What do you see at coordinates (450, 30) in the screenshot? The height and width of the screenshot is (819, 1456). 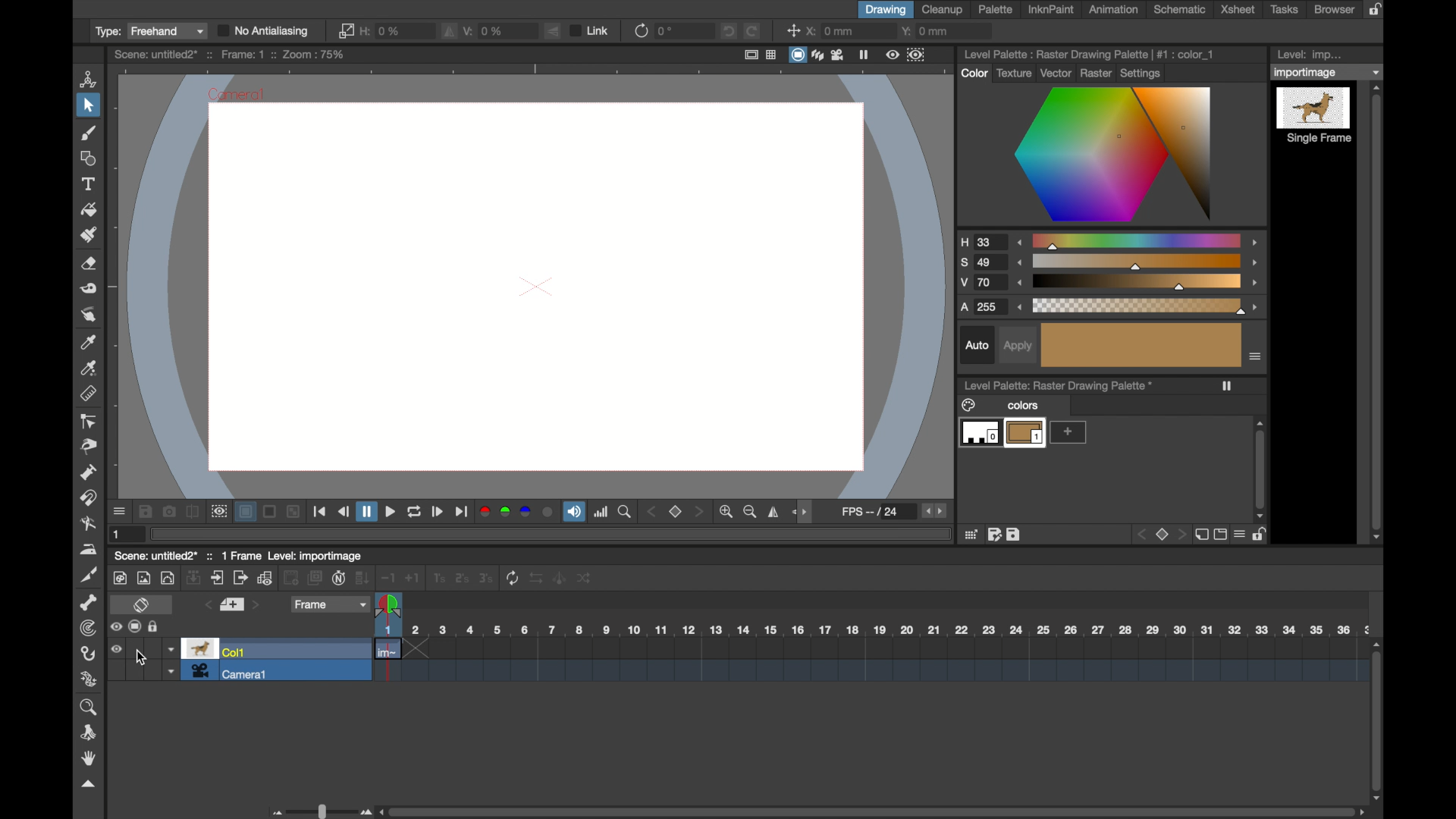 I see `flip horizontally` at bounding box center [450, 30].